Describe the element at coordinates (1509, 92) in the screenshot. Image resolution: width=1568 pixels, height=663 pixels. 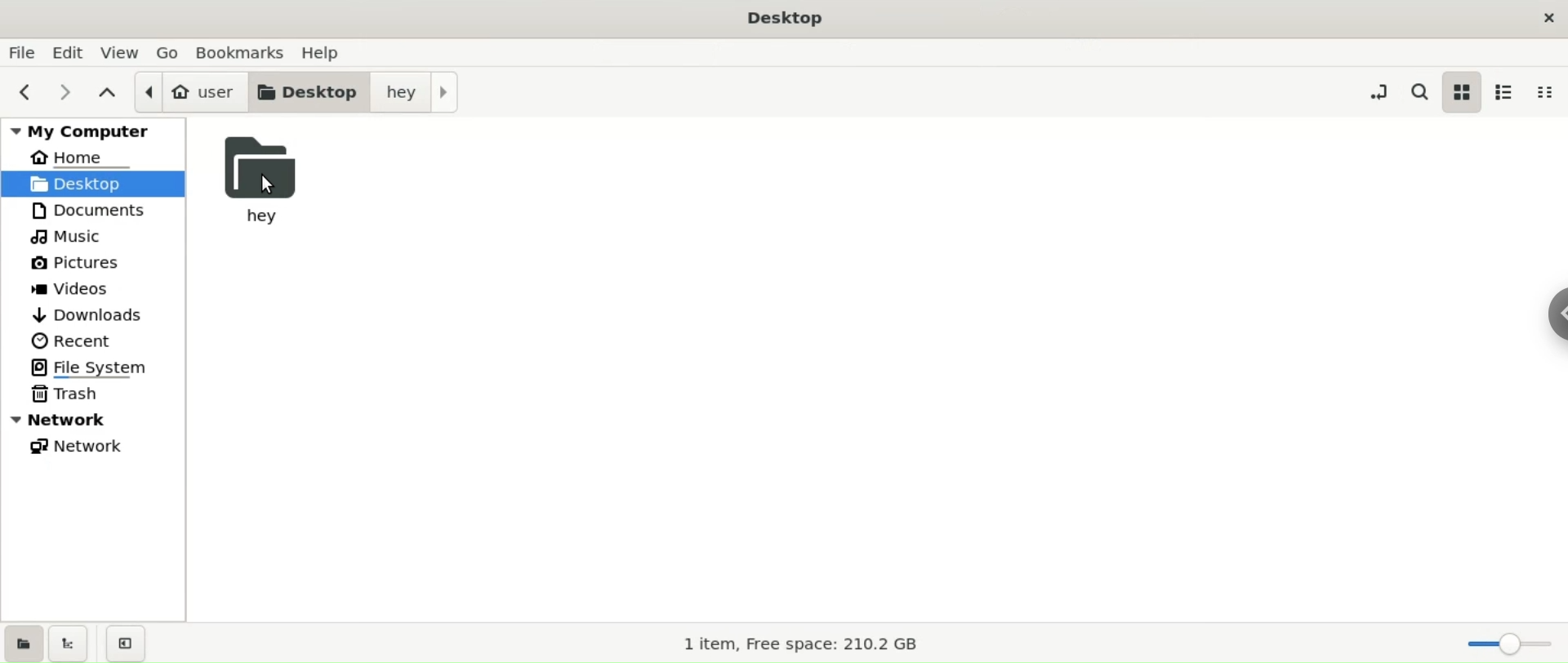
I see `list view` at that location.